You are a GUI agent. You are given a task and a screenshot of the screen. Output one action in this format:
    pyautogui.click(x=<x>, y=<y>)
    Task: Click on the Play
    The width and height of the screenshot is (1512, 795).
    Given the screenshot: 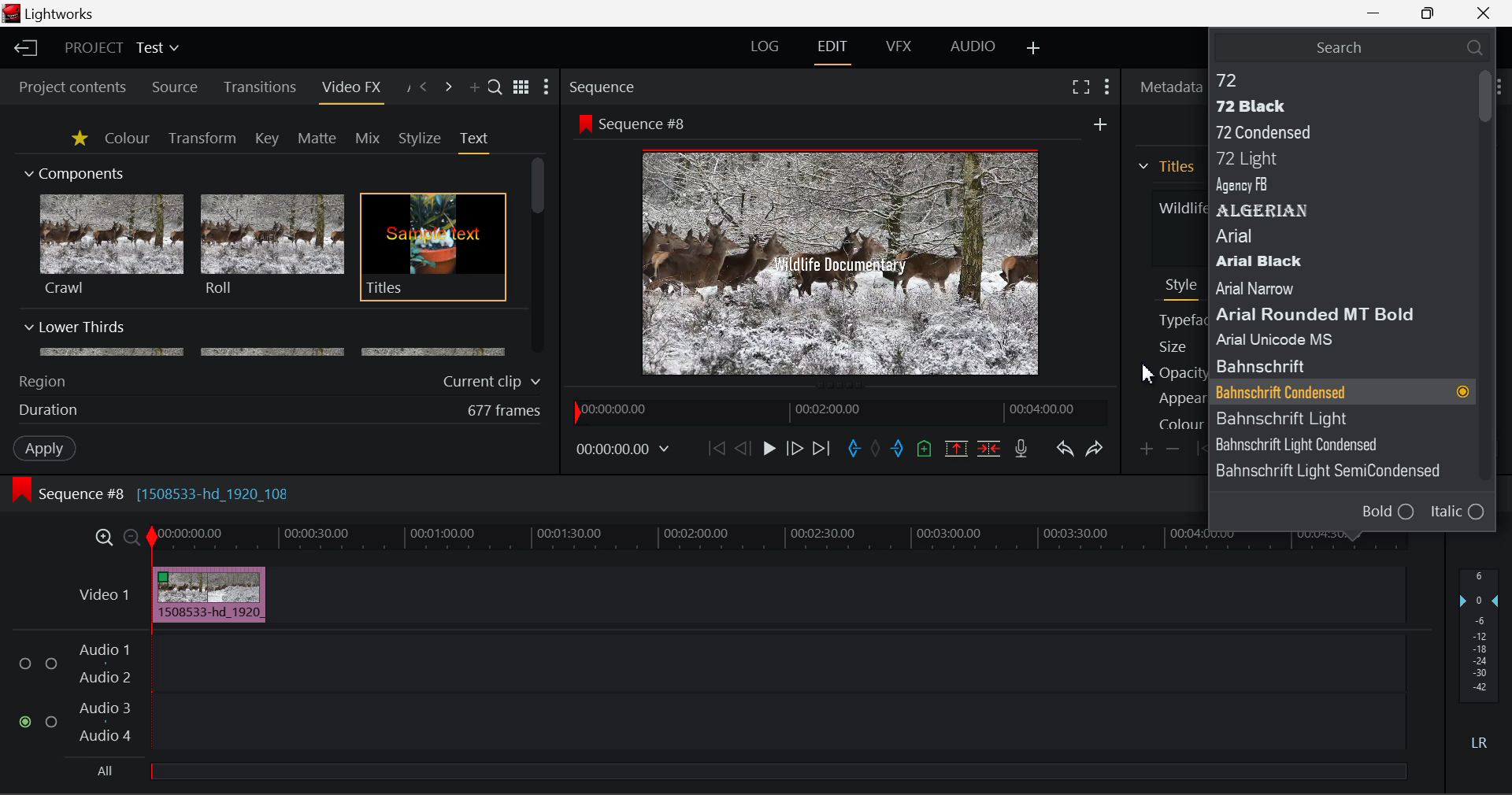 What is the action you would take?
    pyautogui.click(x=769, y=448)
    